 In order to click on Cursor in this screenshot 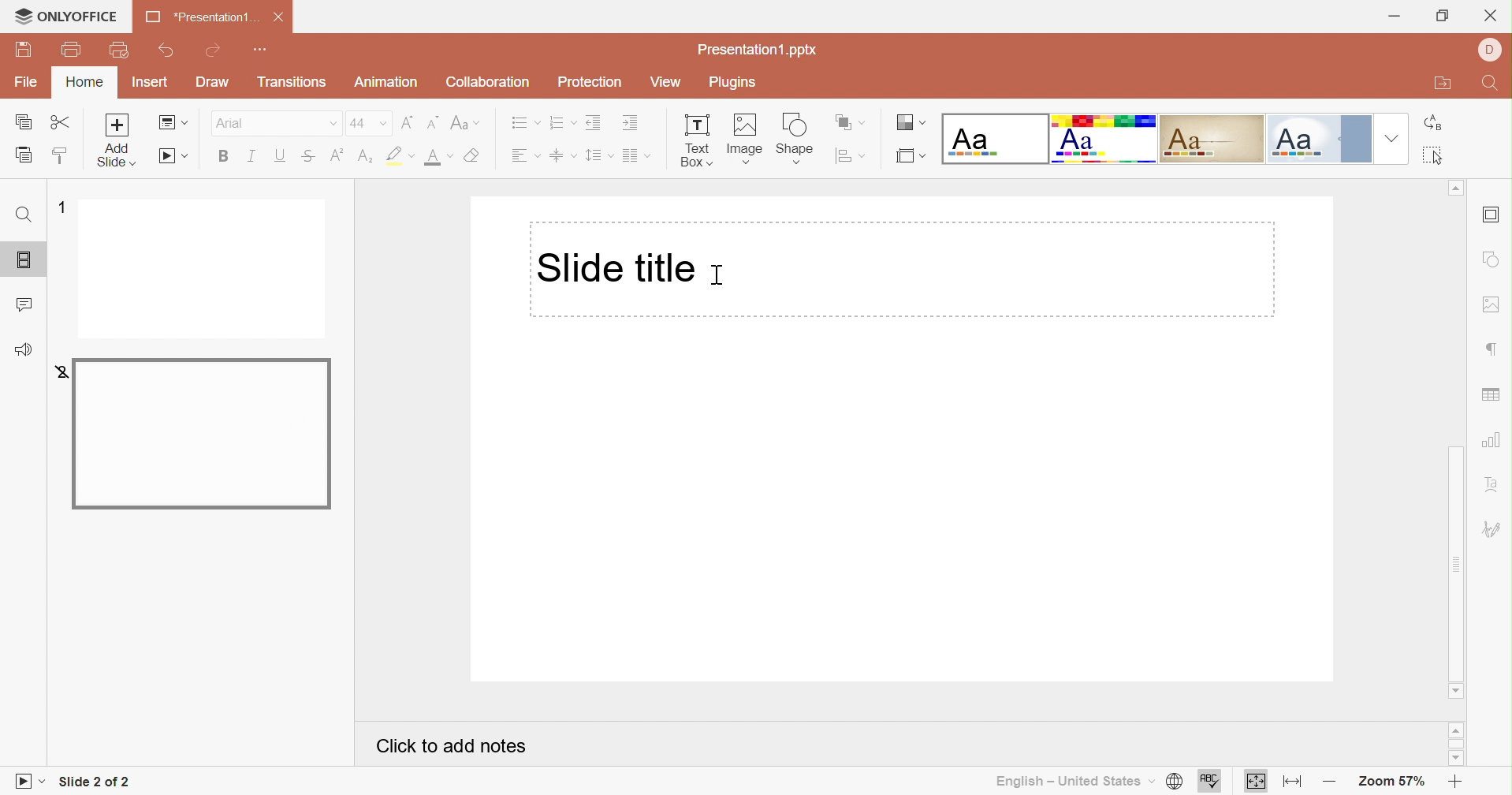, I will do `click(717, 274)`.